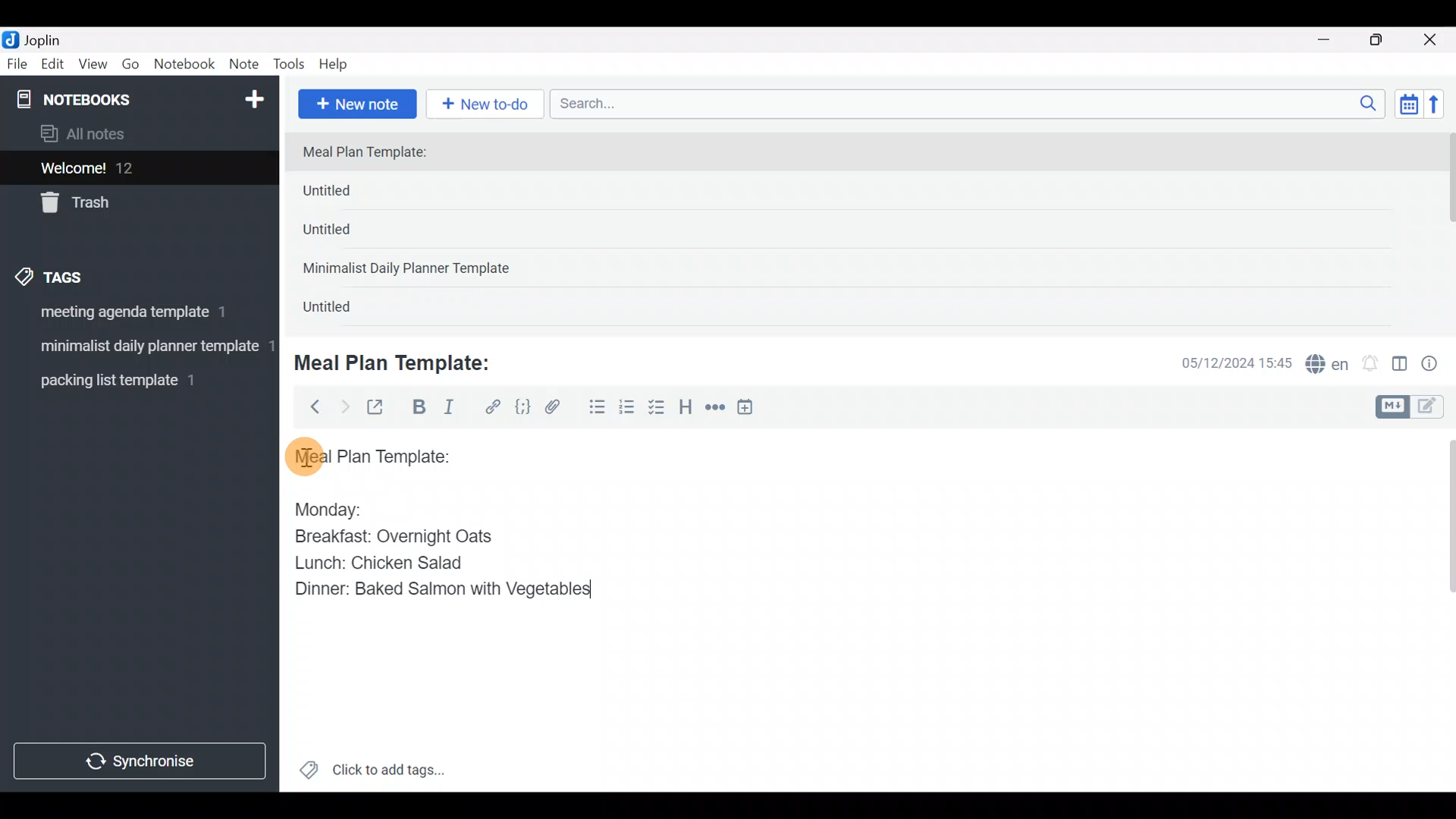 Image resolution: width=1456 pixels, height=819 pixels. Describe the element at coordinates (1328, 366) in the screenshot. I see `Spelling` at that location.